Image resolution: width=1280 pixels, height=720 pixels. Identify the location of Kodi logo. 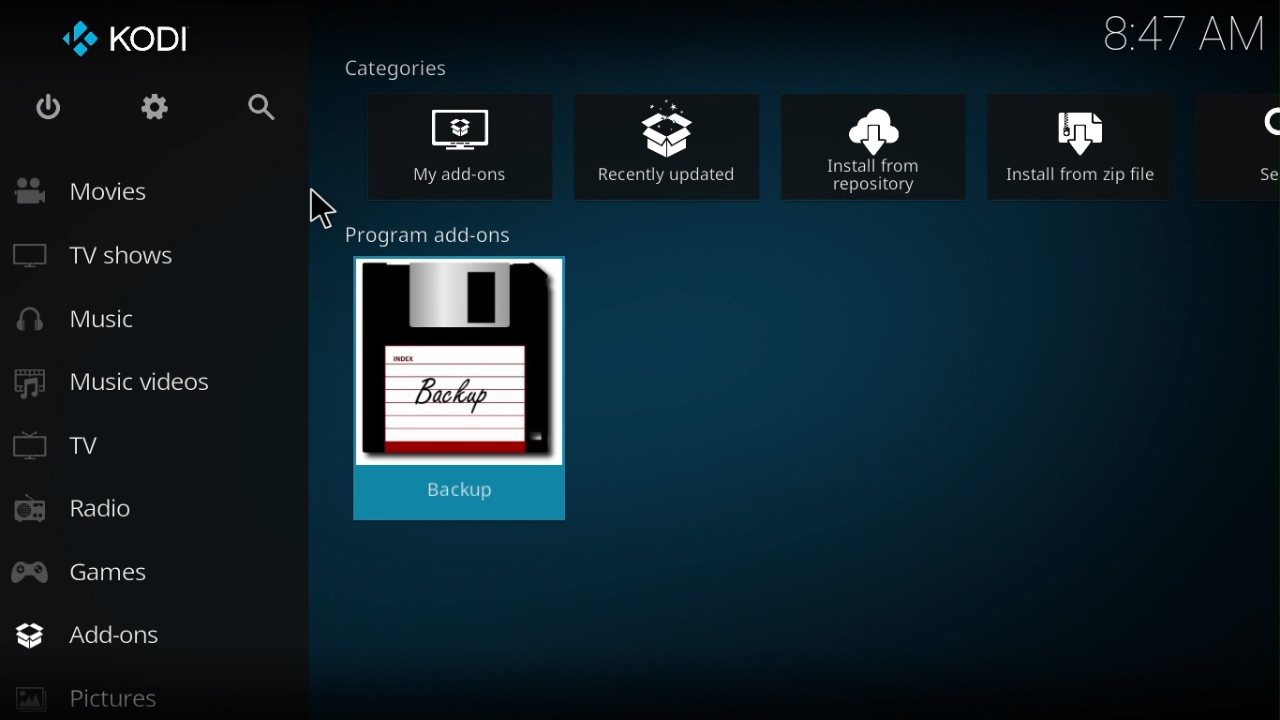
(129, 42).